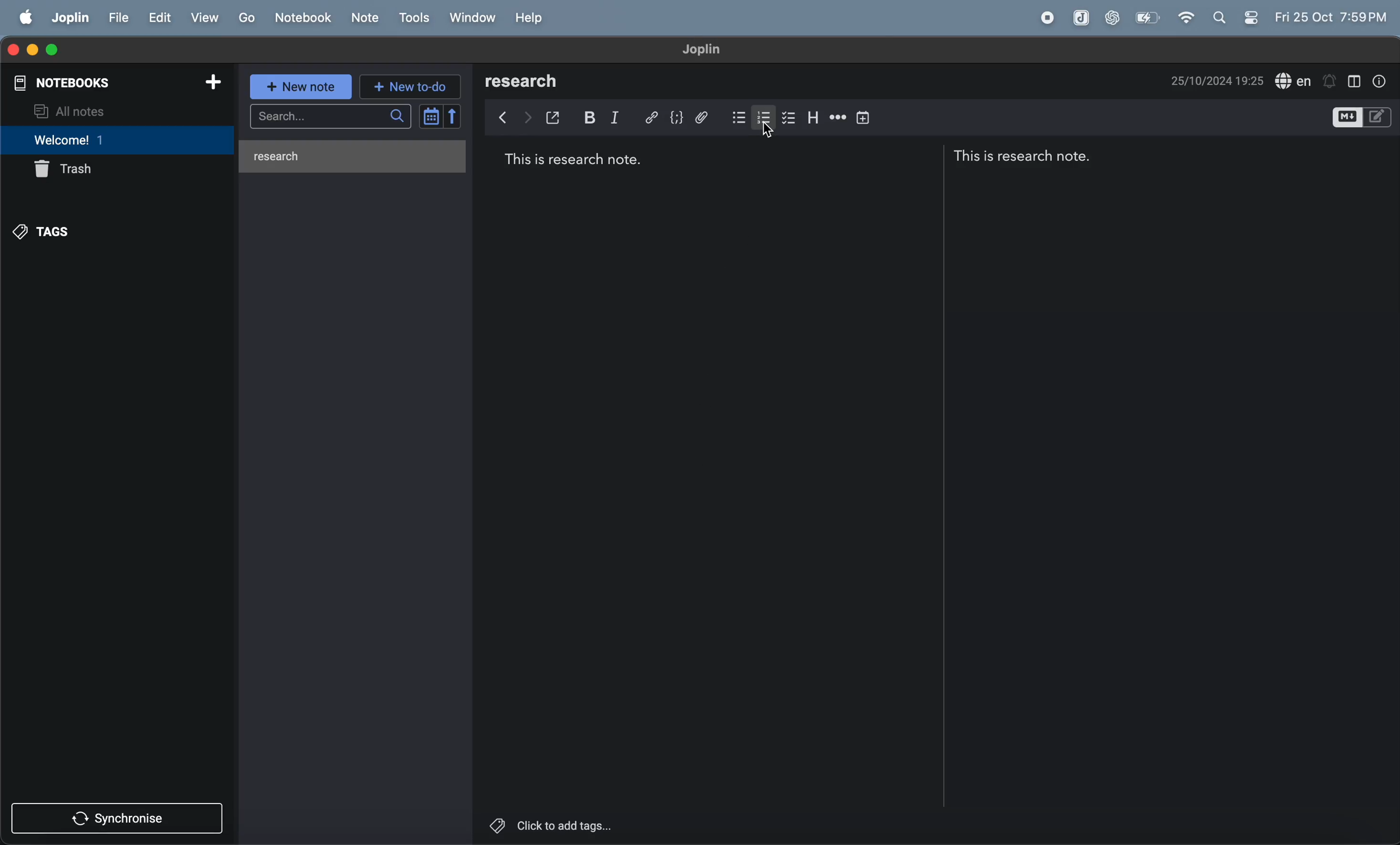 The image size is (1400, 845). What do you see at coordinates (1026, 156) in the screenshot?
I see `This is research note.` at bounding box center [1026, 156].